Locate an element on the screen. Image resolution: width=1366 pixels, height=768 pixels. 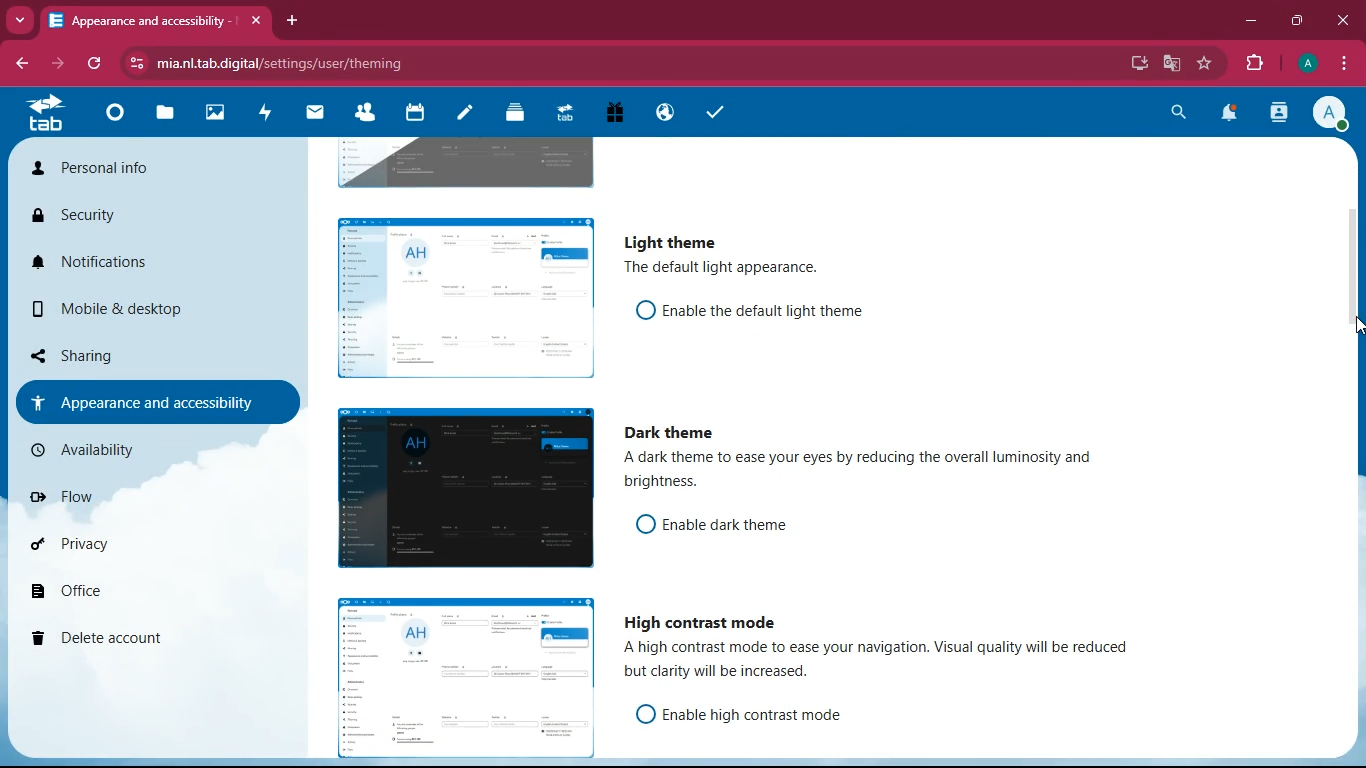
high contrast is located at coordinates (701, 619).